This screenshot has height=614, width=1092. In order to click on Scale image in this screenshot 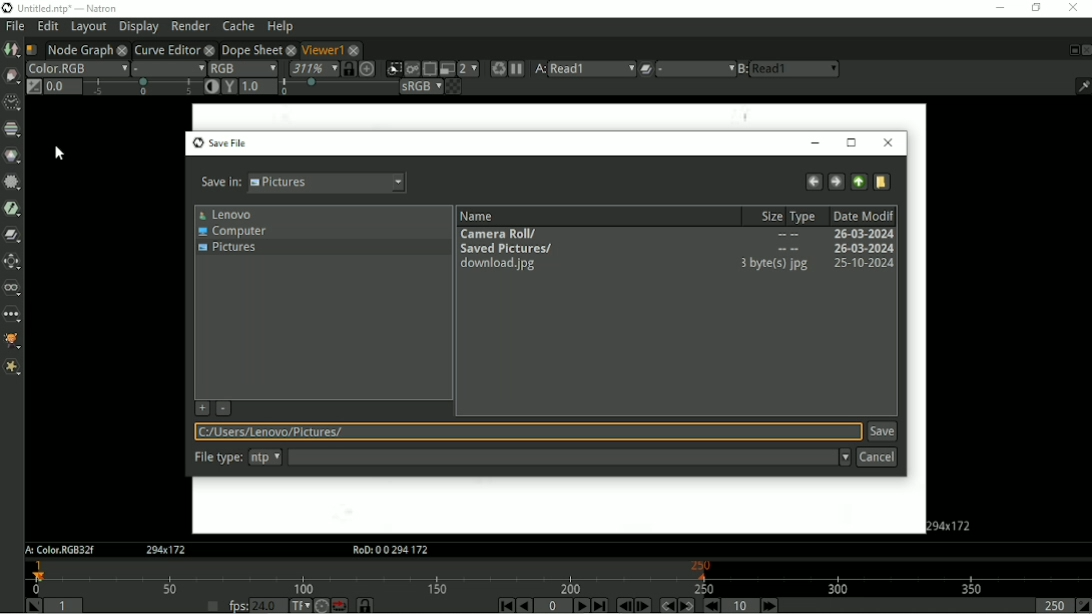, I will do `click(367, 70)`.